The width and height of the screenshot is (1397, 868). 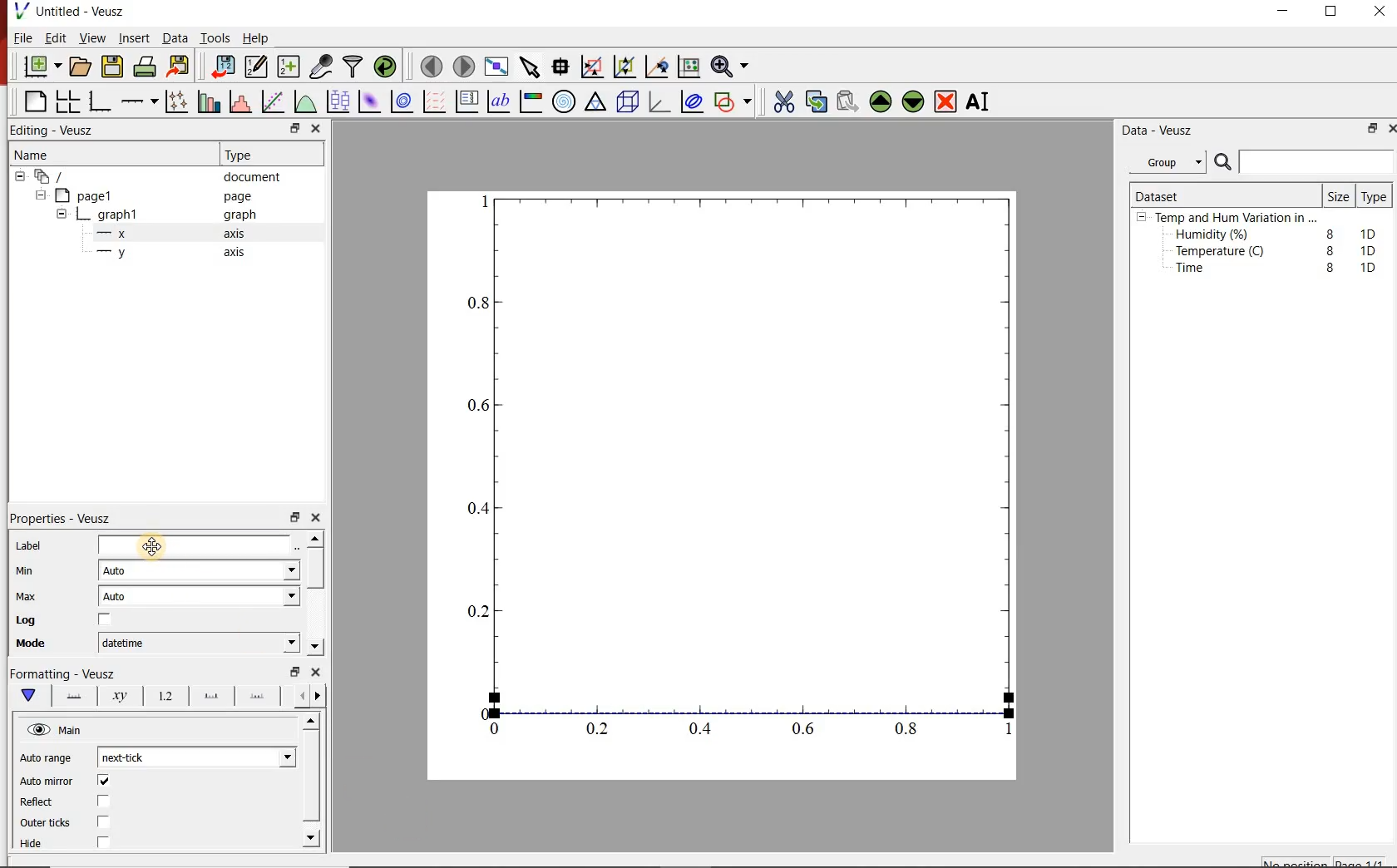 I want to click on move to the next page, so click(x=463, y=66).